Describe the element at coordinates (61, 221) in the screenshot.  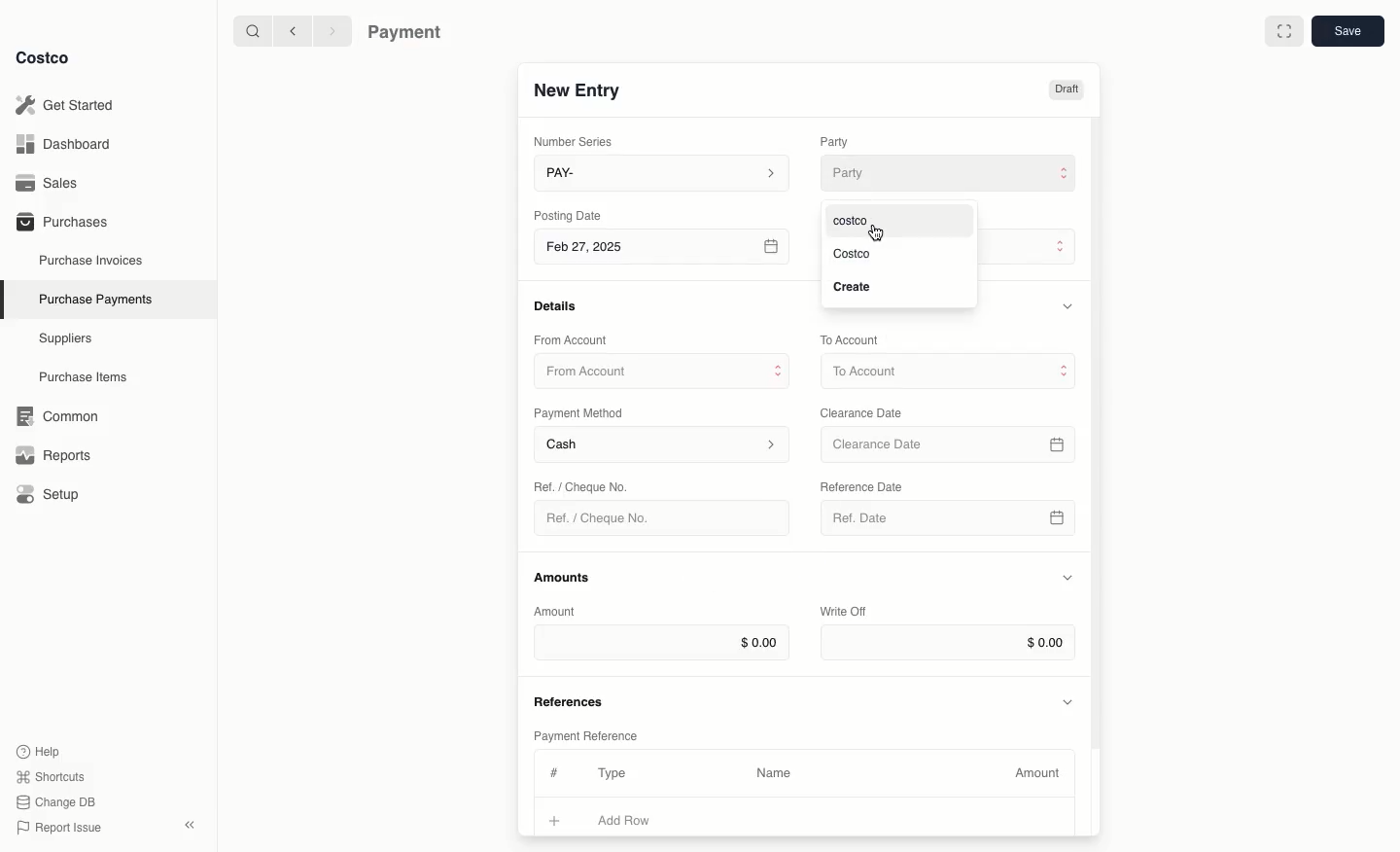
I see `Purchases` at that location.